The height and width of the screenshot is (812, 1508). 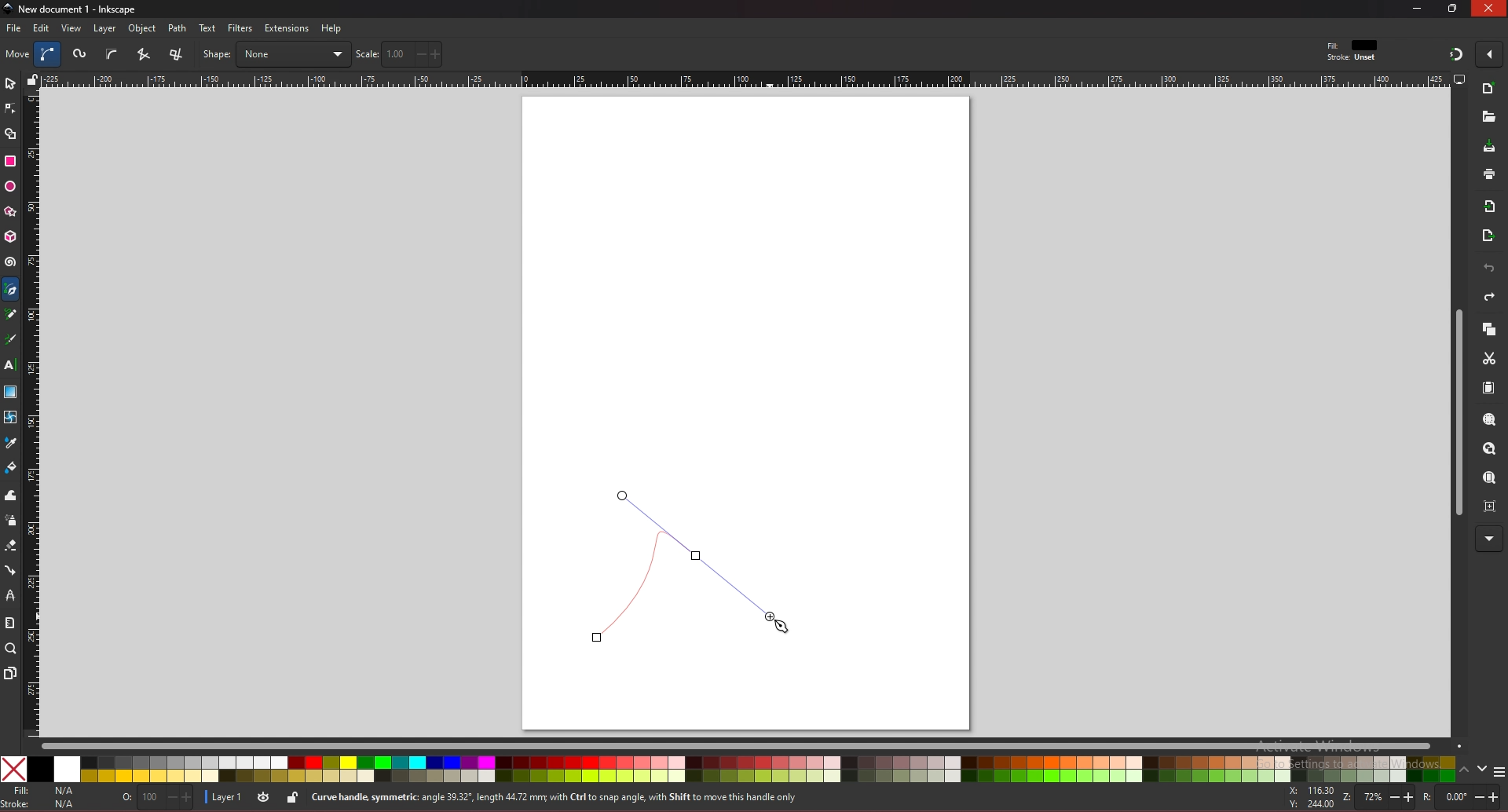 What do you see at coordinates (13, 28) in the screenshot?
I see `file` at bounding box center [13, 28].